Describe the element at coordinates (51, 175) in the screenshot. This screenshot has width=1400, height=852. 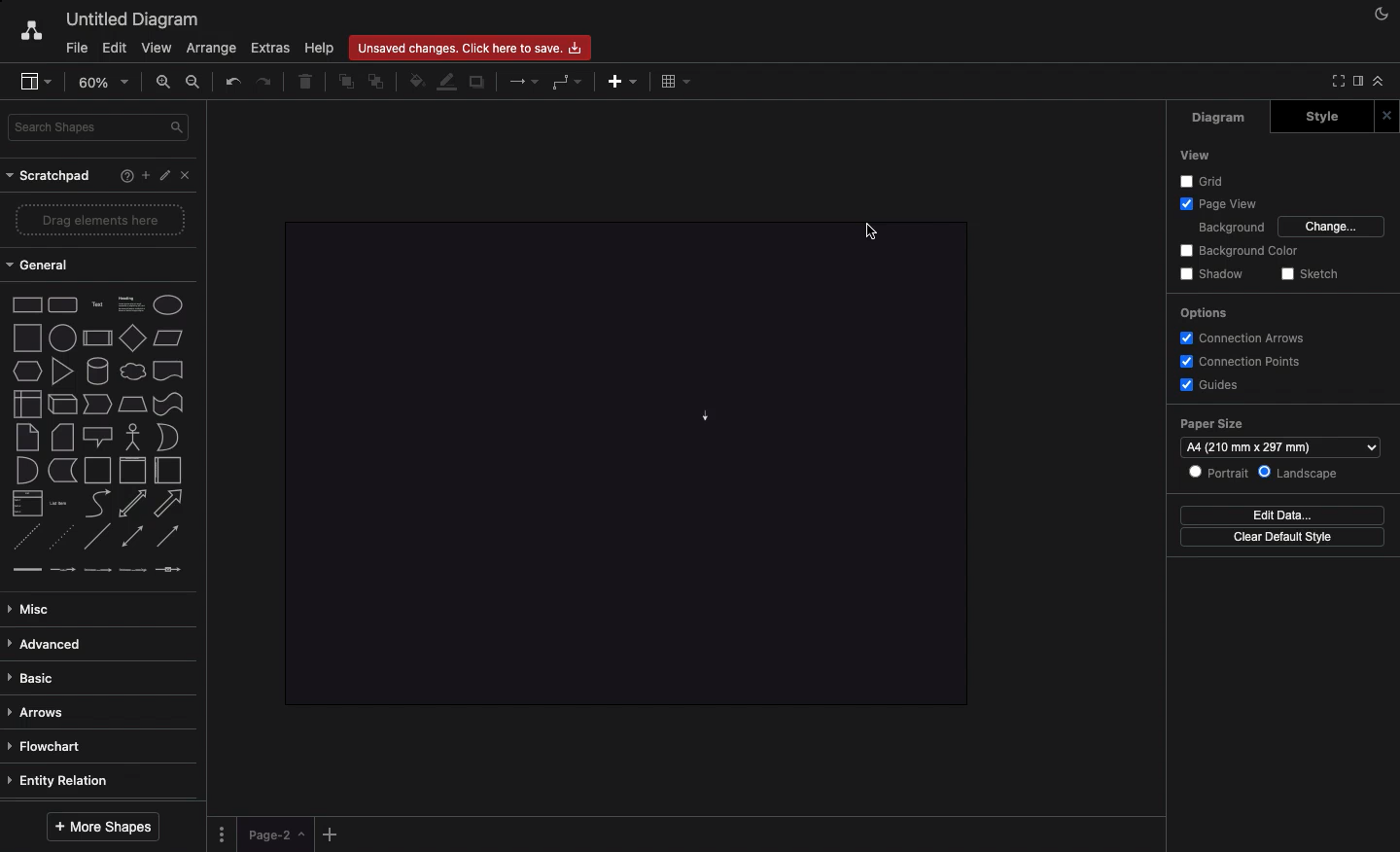
I see `Scratchpad` at that location.